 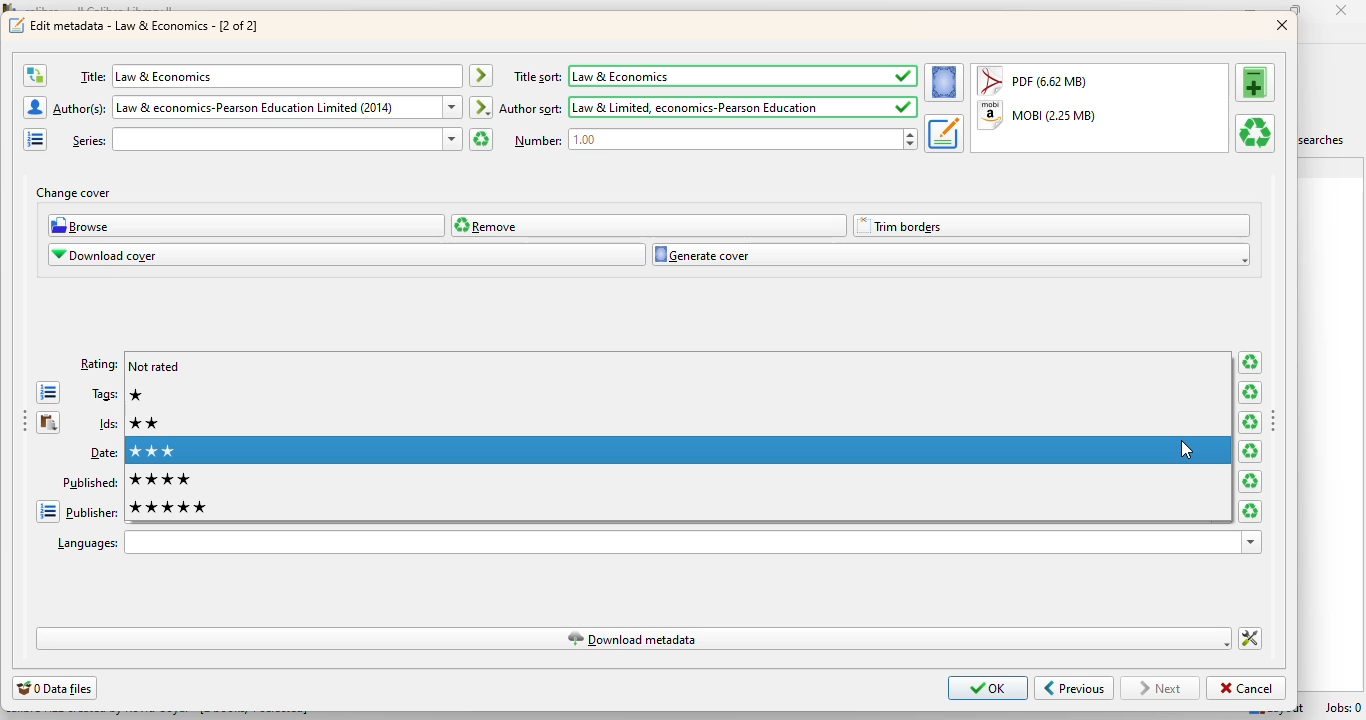 I want to click on open the manage series editor, so click(x=35, y=139).